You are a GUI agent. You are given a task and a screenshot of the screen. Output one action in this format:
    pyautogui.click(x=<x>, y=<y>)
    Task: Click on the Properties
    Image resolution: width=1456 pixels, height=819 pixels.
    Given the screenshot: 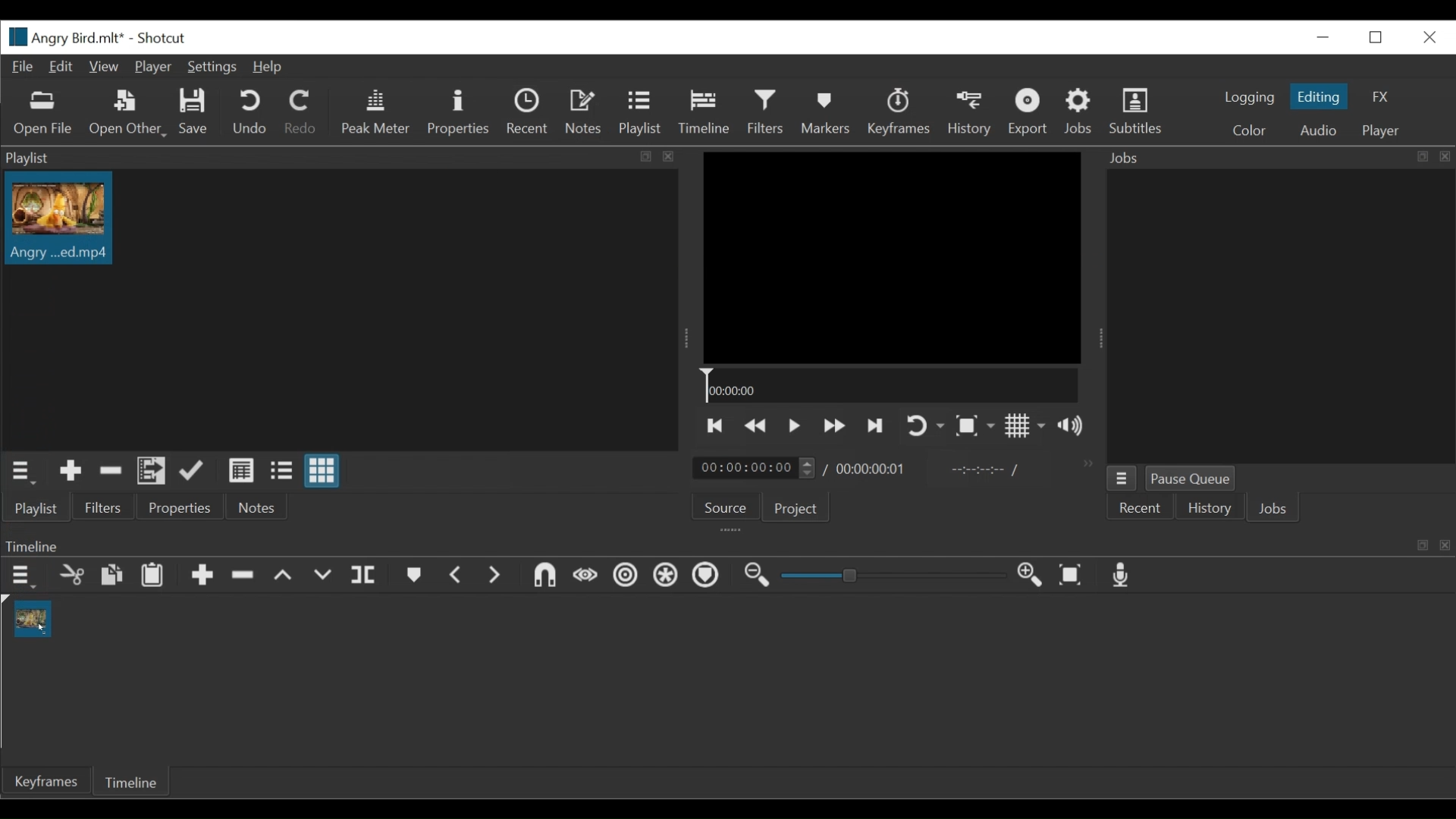 What is the action you would take?
    pyautogui.click(x=459, y=113)
    